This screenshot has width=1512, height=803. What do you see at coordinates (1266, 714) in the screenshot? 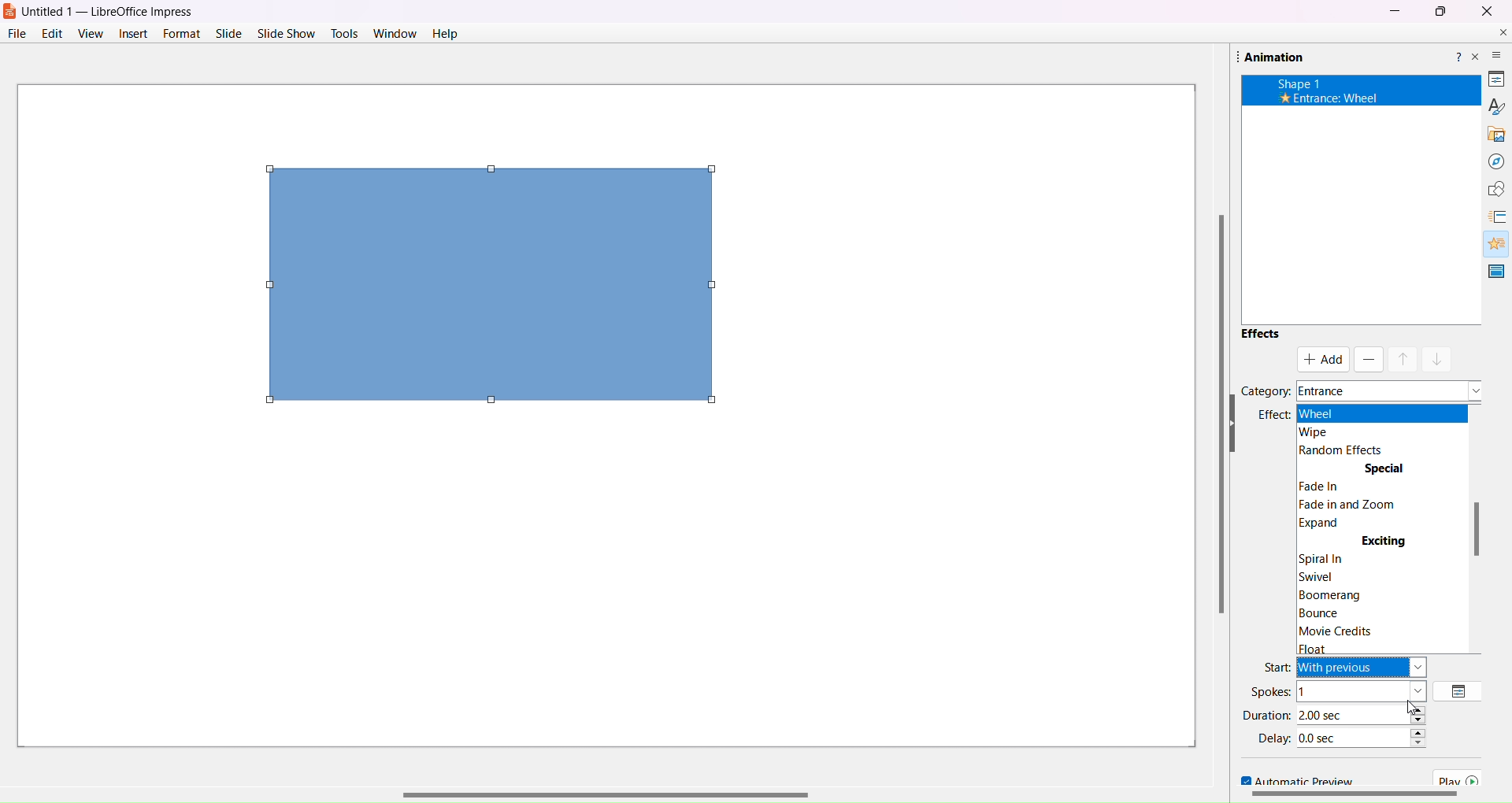
I see `Duration` at bounding box center [1266, 714].